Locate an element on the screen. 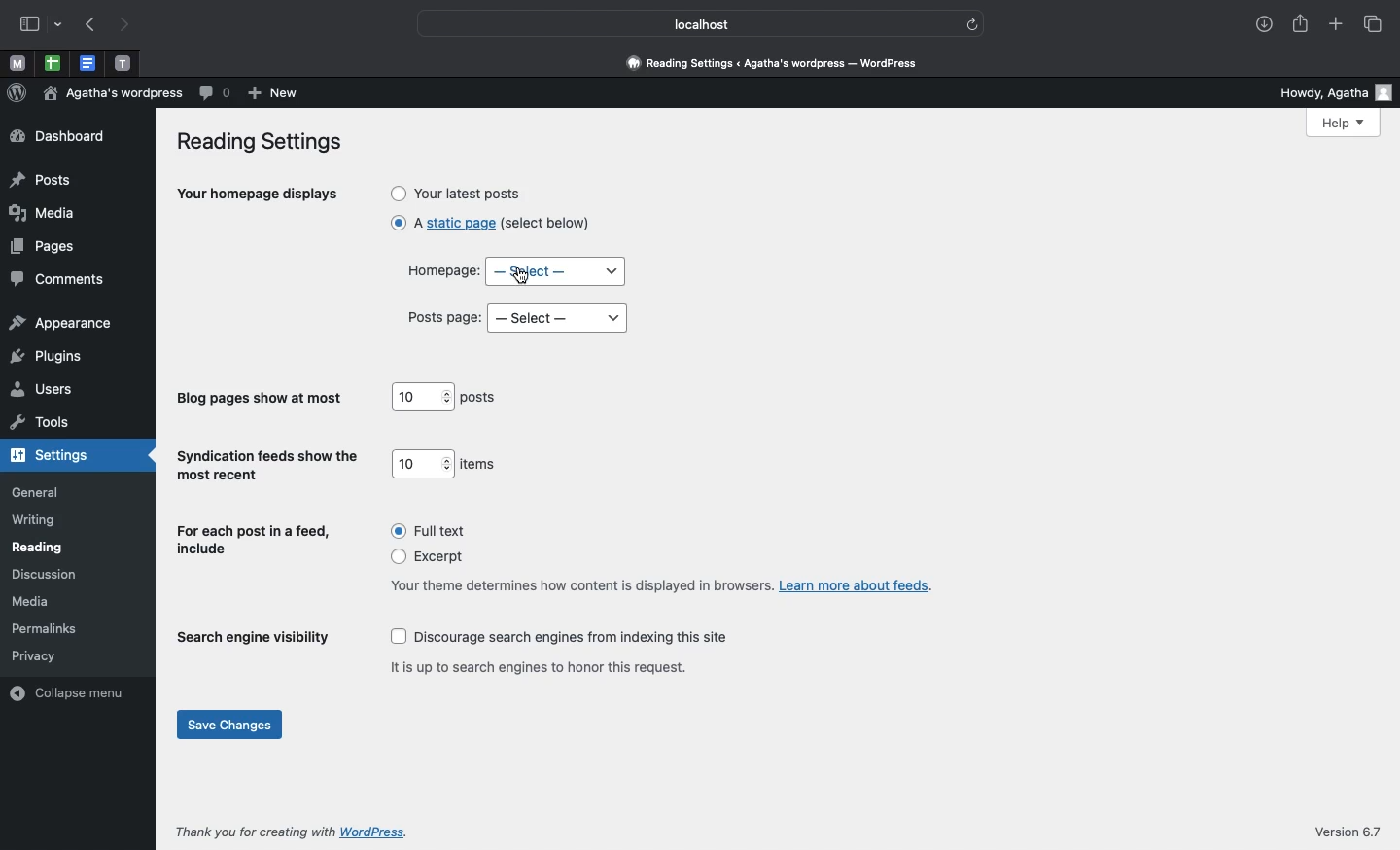 The width and height of the screenshot is (1400, 850). cursor is located at coordinates (519, 277).